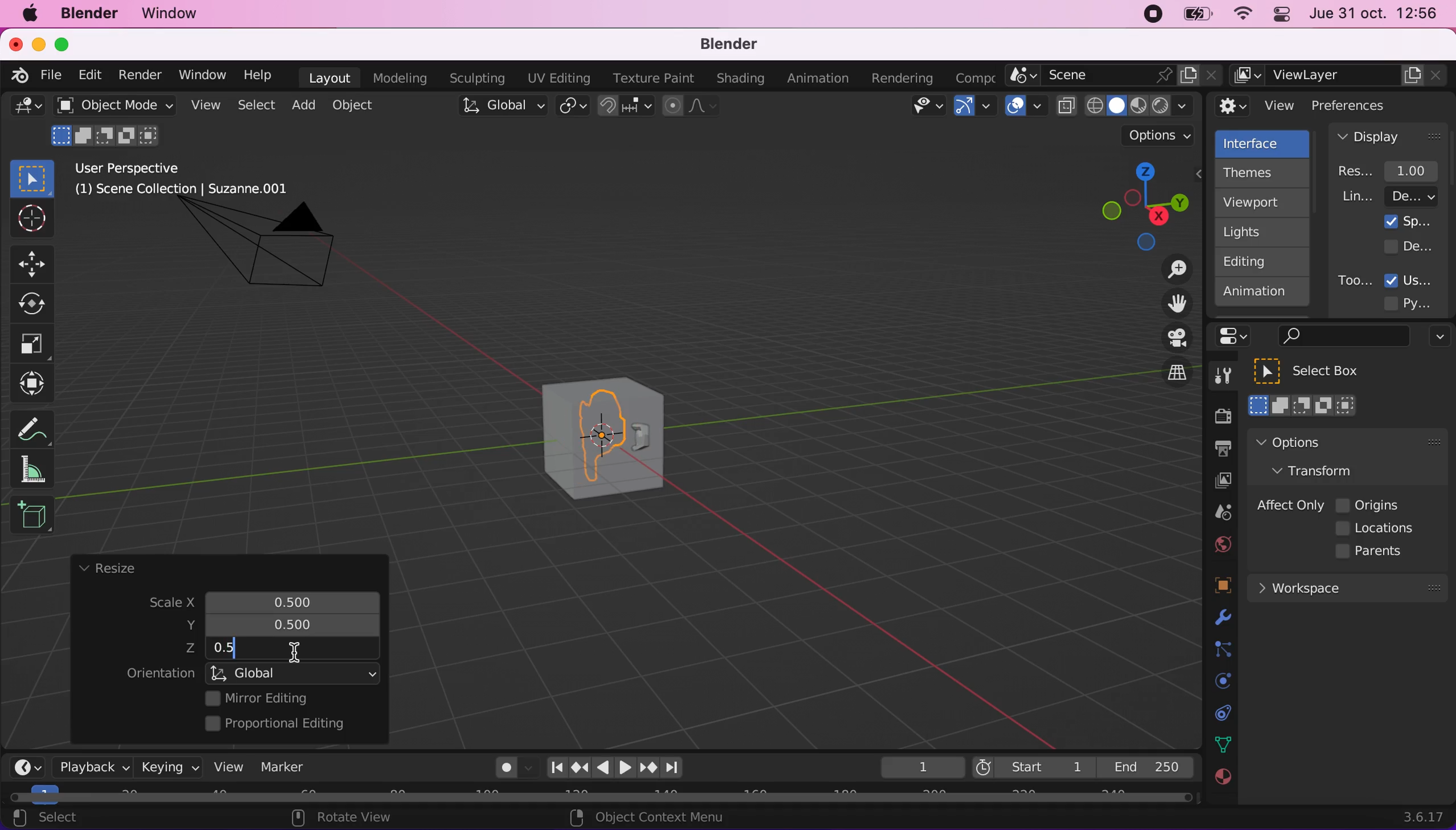 This screenshot has height=830, width=1456. Describe the element at coordinates (1263, 295) in the screenshot. I see `animation` at that location.